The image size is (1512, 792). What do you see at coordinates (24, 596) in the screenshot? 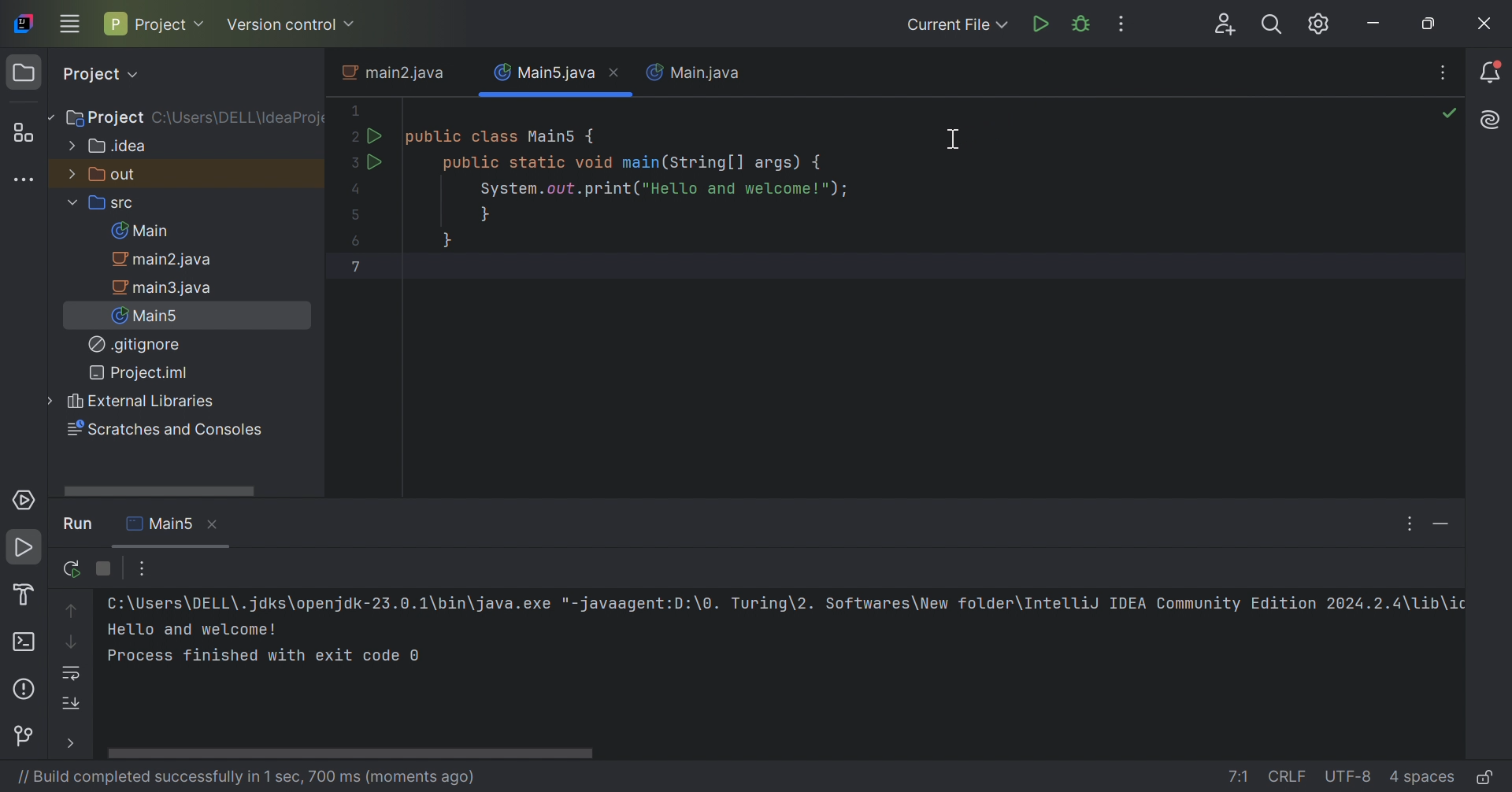
I see `Build` at bounding box center [24, 596].